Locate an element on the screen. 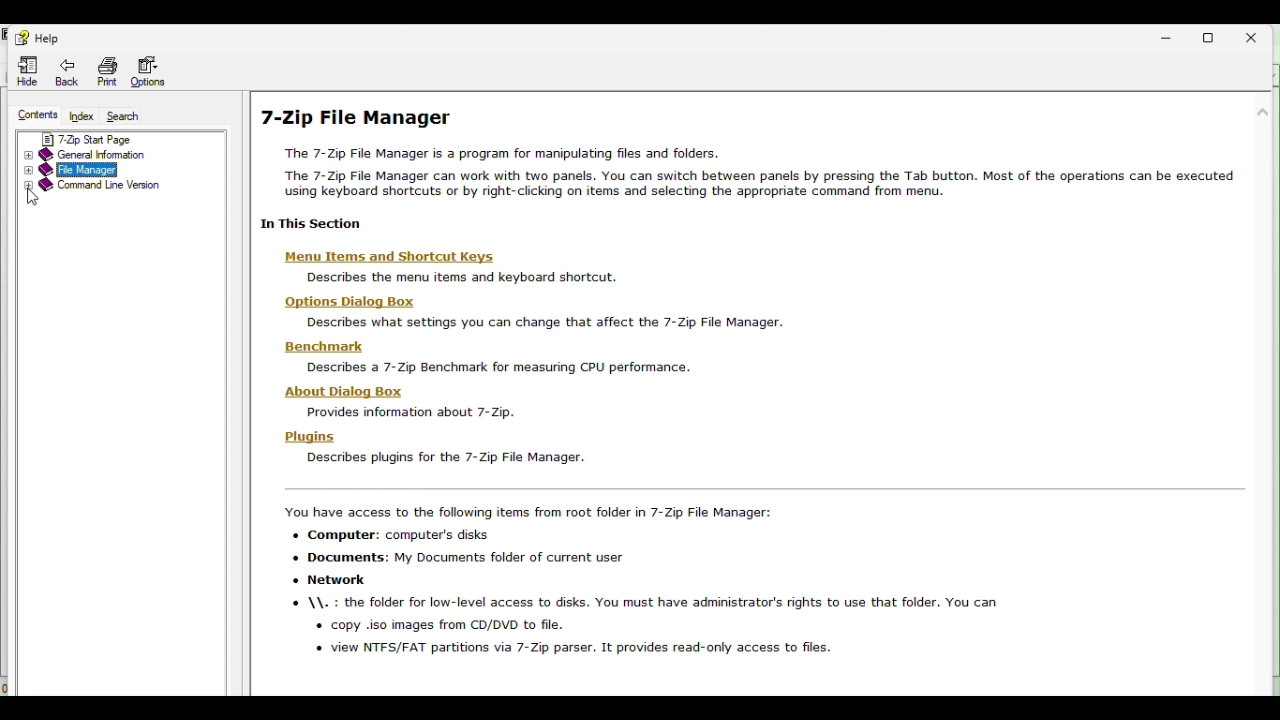  Describes a 7-Zip Benchmark for measuring CPU performance. is located at coordinates (494, 368).